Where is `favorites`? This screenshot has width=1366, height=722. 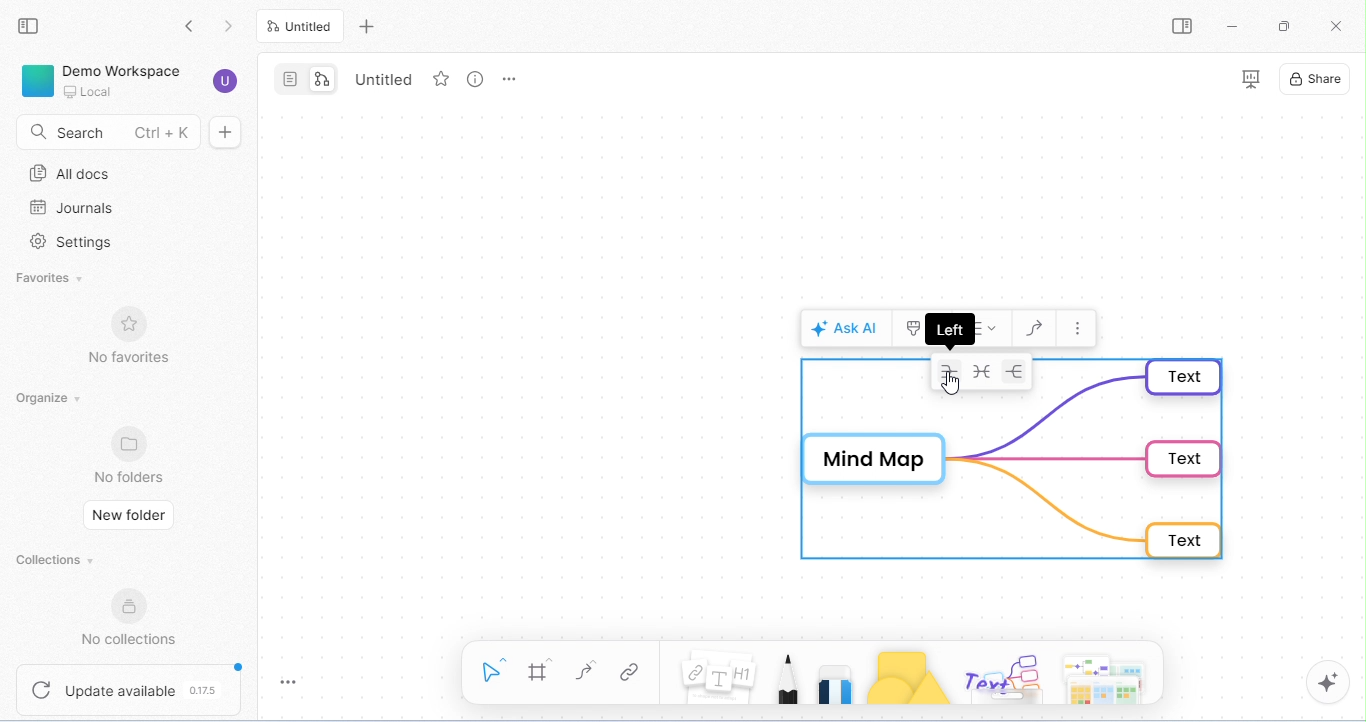
favorites is located at coordinates (439, 80).